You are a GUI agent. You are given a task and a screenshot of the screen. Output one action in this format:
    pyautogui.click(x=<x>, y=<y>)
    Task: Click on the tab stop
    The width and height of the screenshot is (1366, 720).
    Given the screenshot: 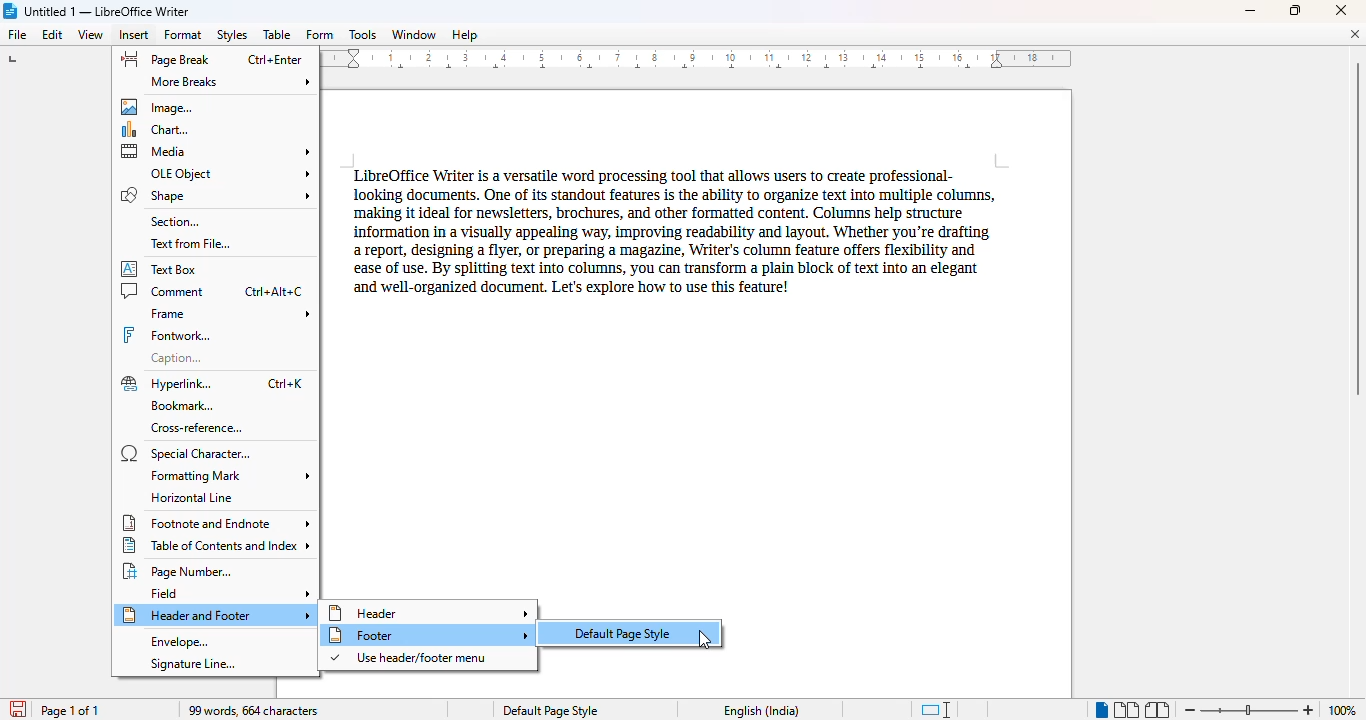 What is the action you would take?
    pyautogui.click(x=15, y=61)
    